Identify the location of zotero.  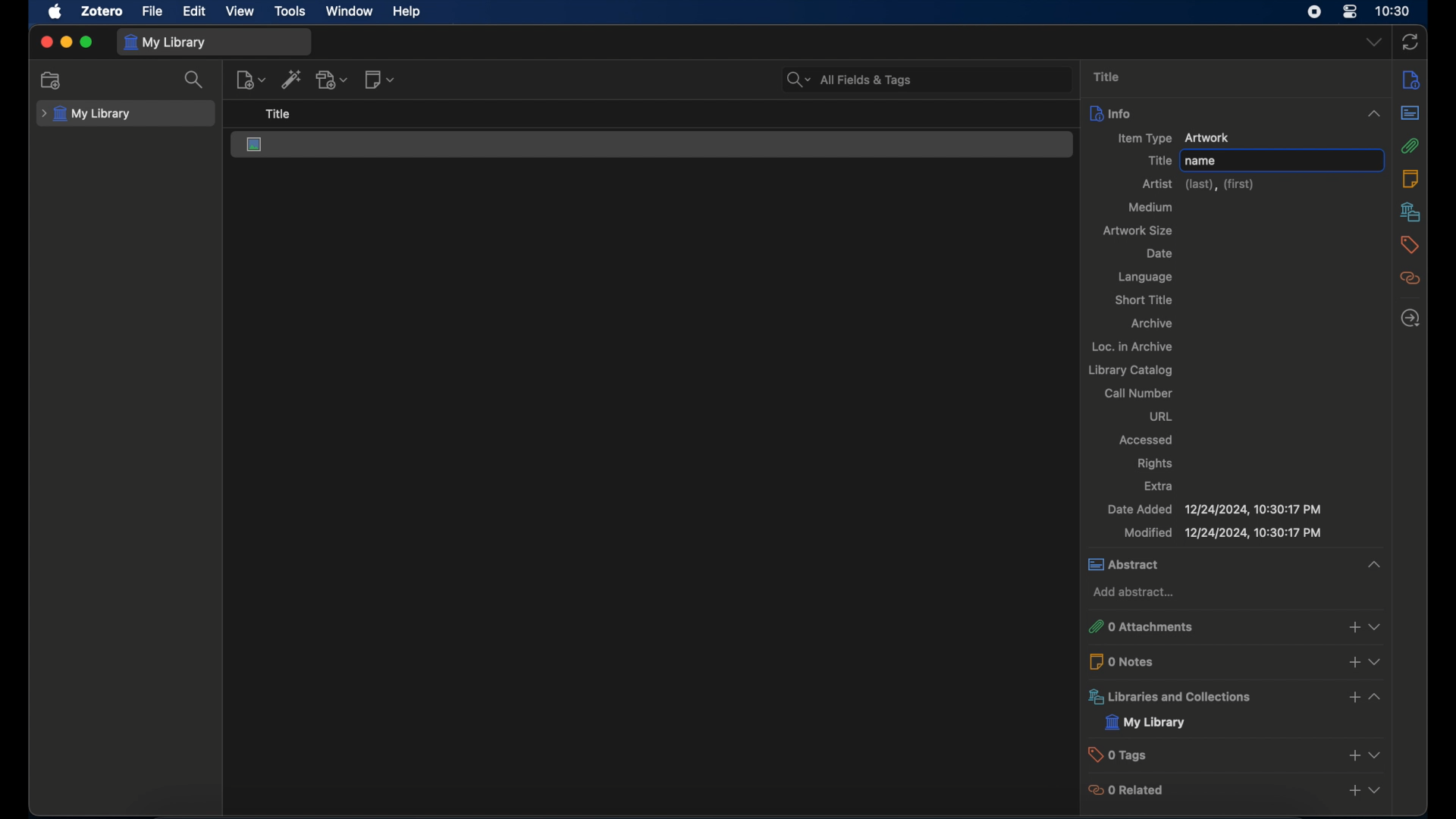
(102, 11).